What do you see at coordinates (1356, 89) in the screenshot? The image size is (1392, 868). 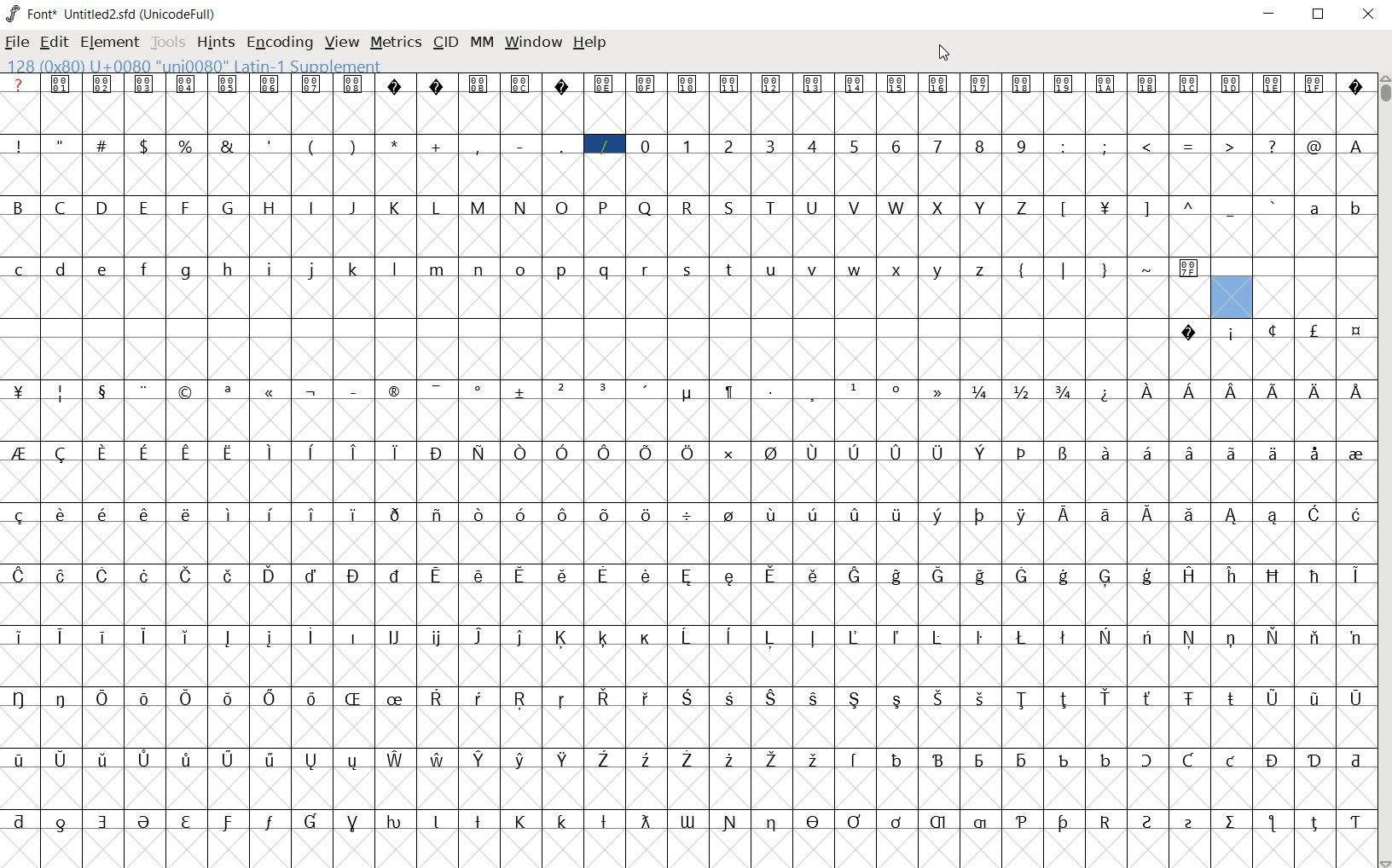 I see `glyph` at bounding box center [1356, 89].